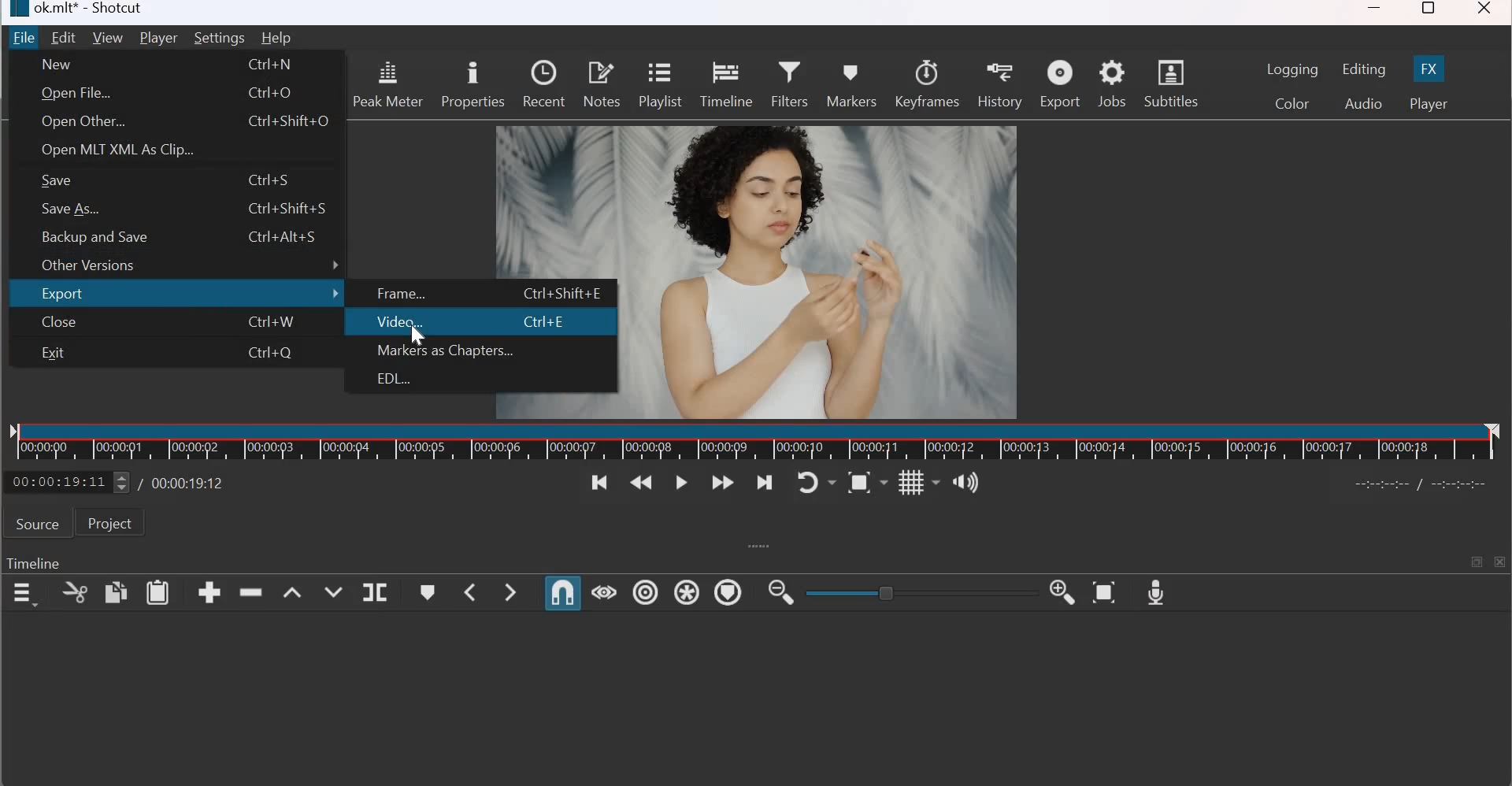  Describe the element at coordinates (1293, 69) in the screenshot. I see `Logging` at that location.